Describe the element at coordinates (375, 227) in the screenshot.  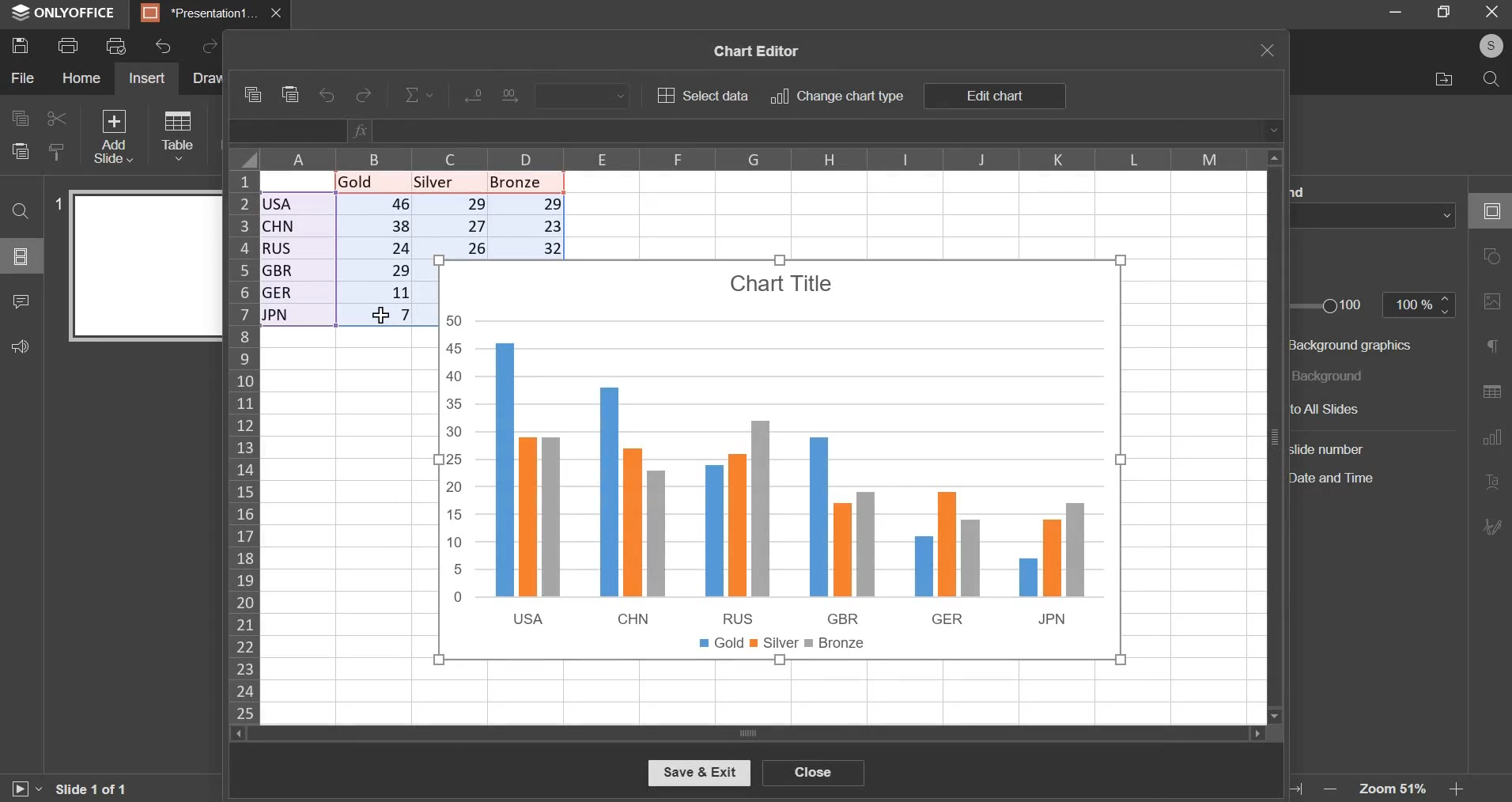
I see `38` at that location.